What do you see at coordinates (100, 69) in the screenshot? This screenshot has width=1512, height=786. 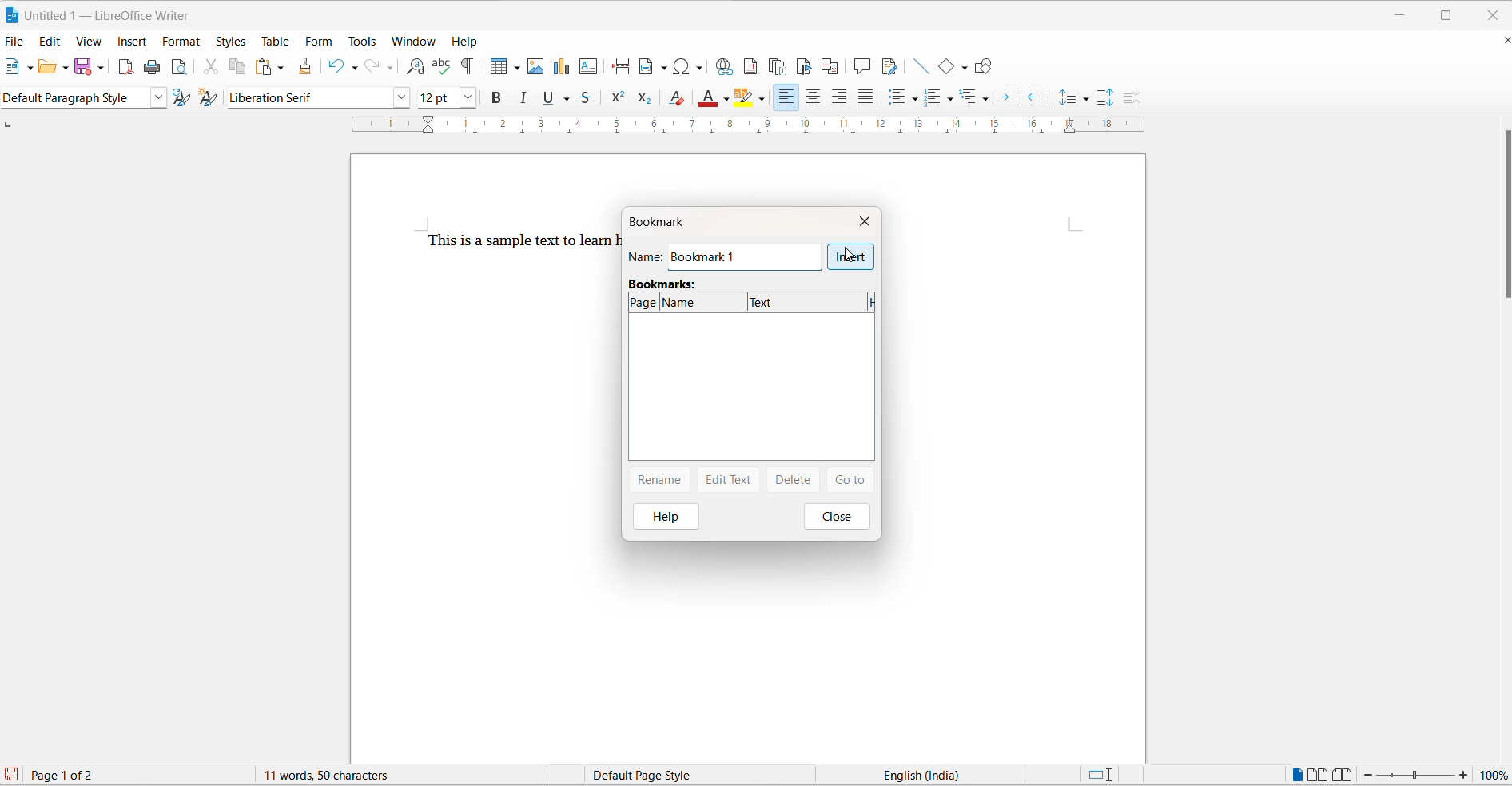 I see `save options` at bounding box center [100, 69].